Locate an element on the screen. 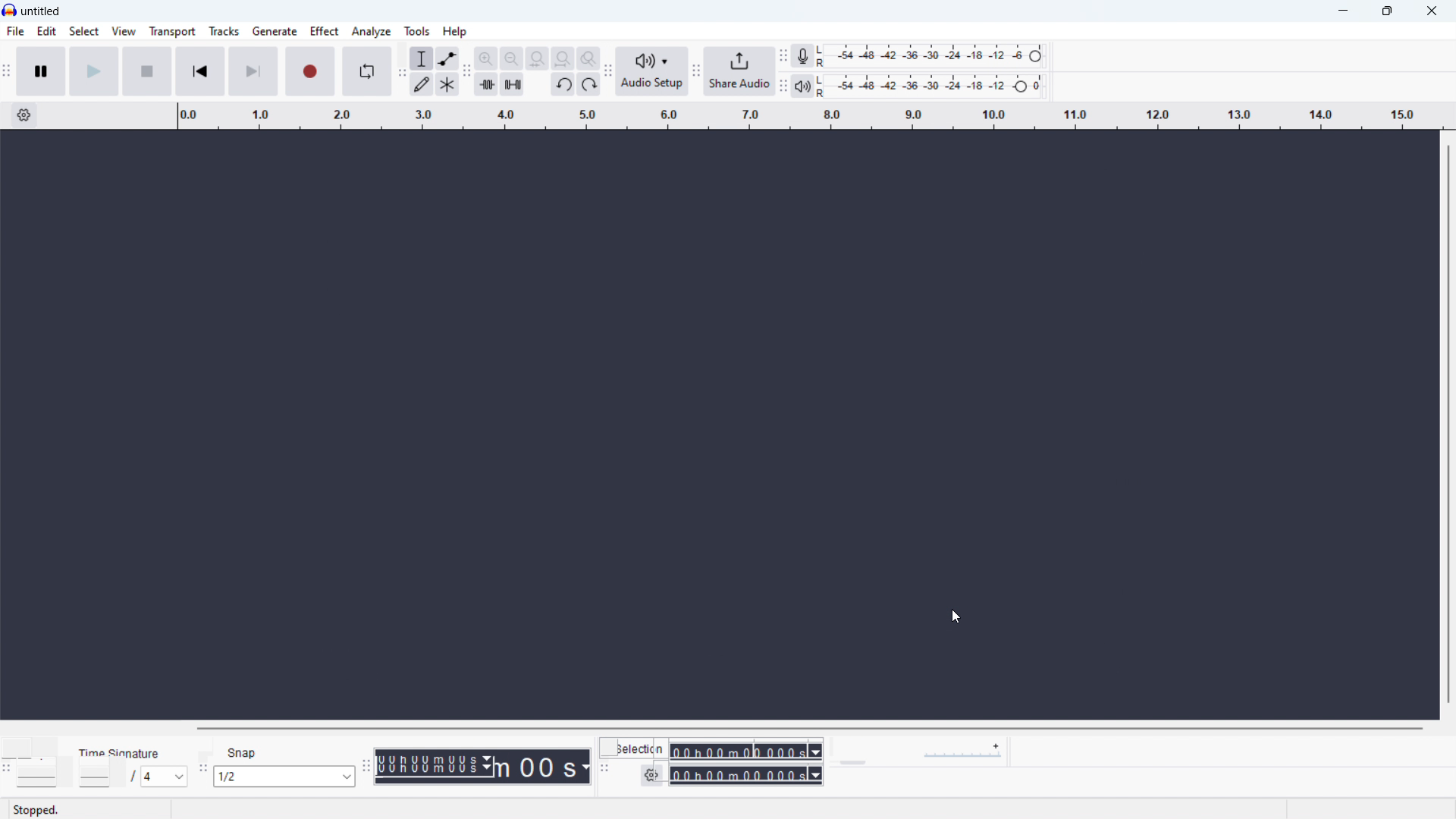 This screenshot has width=1456, height=819. stop is located at coordinates (148, 71).